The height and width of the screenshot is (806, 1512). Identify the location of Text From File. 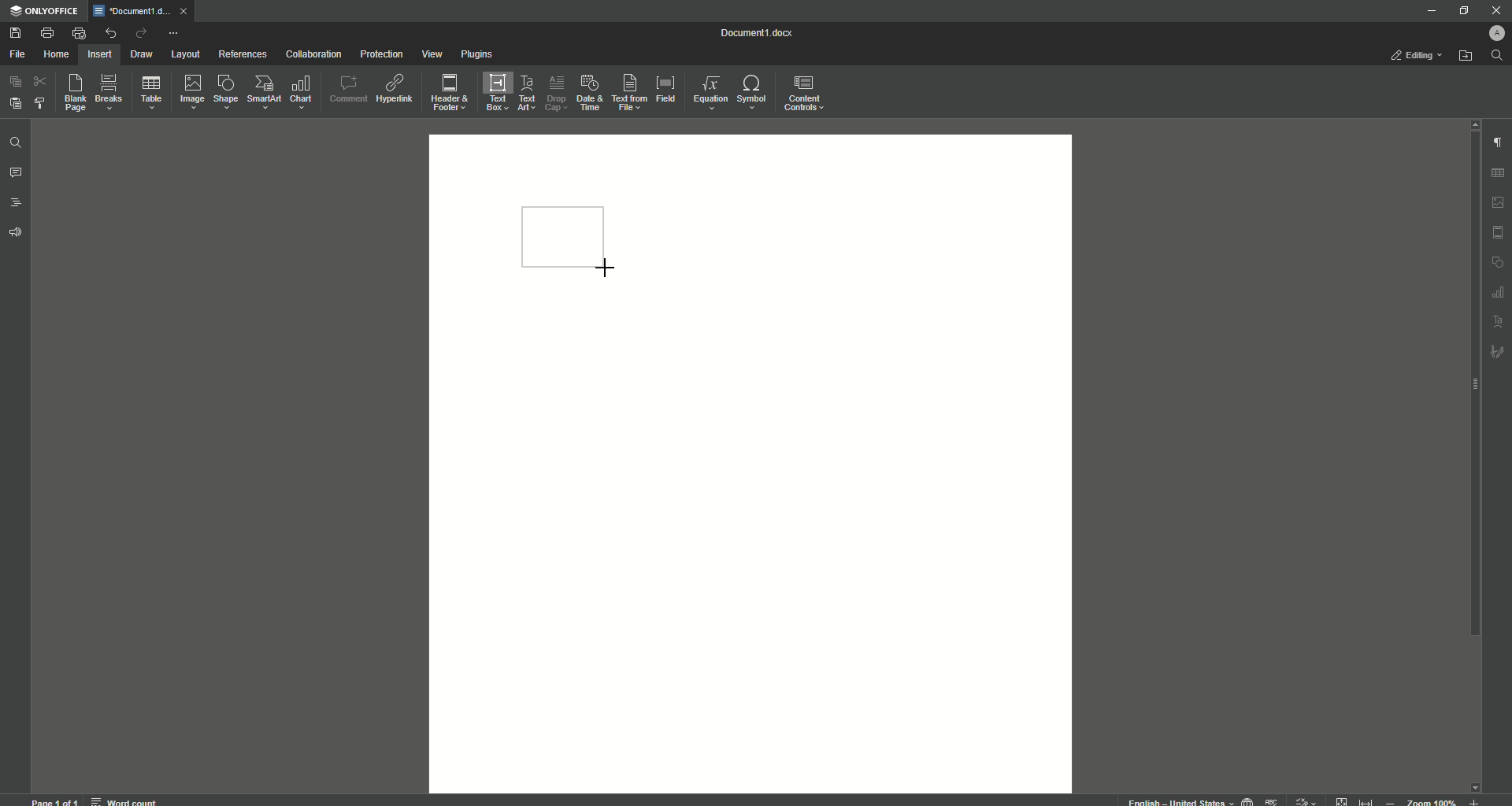
(627, 91).